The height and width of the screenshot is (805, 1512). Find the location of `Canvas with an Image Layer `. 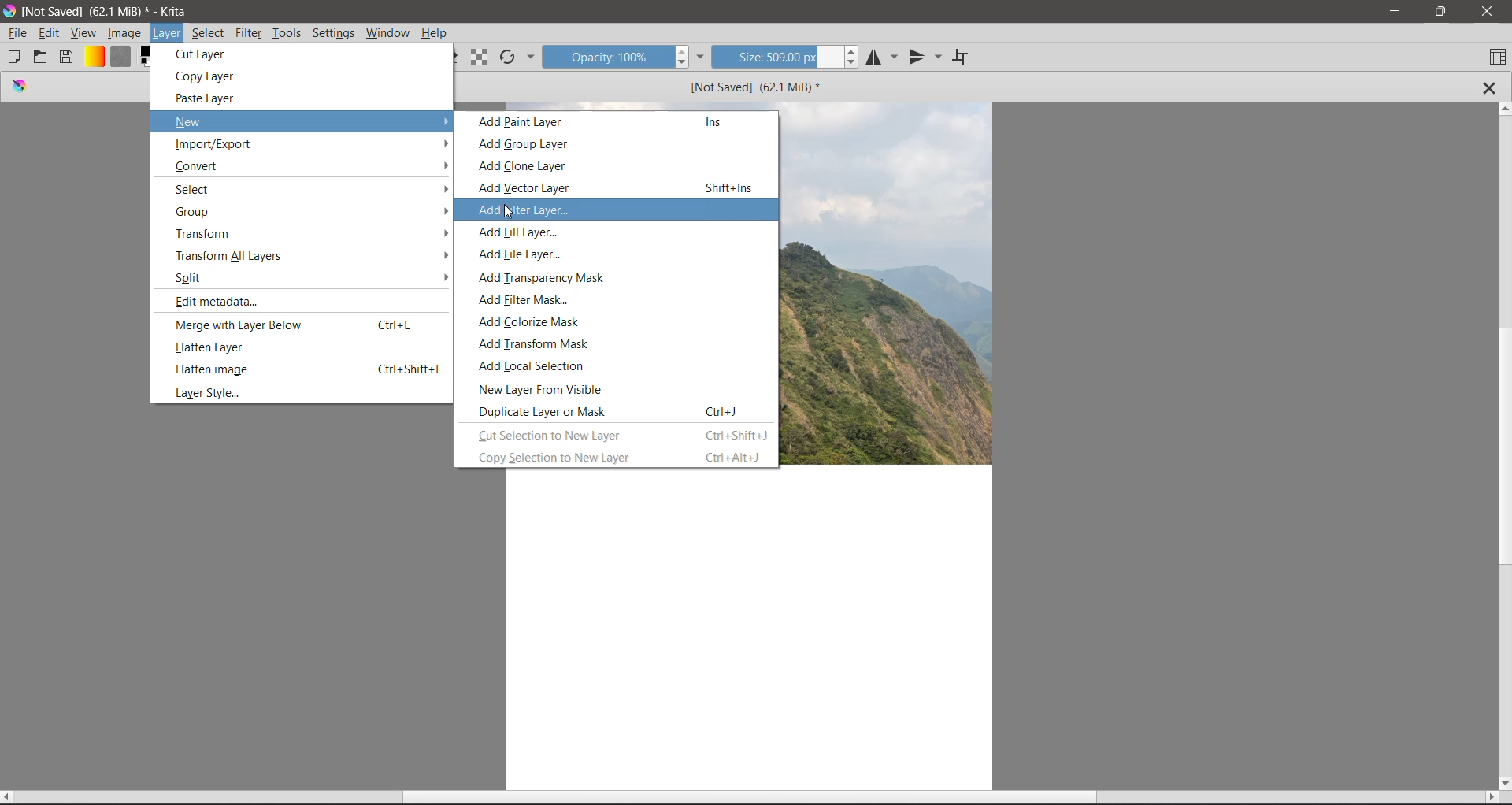

Canvas with an Image Layer  is located at coordinates (752, 629).